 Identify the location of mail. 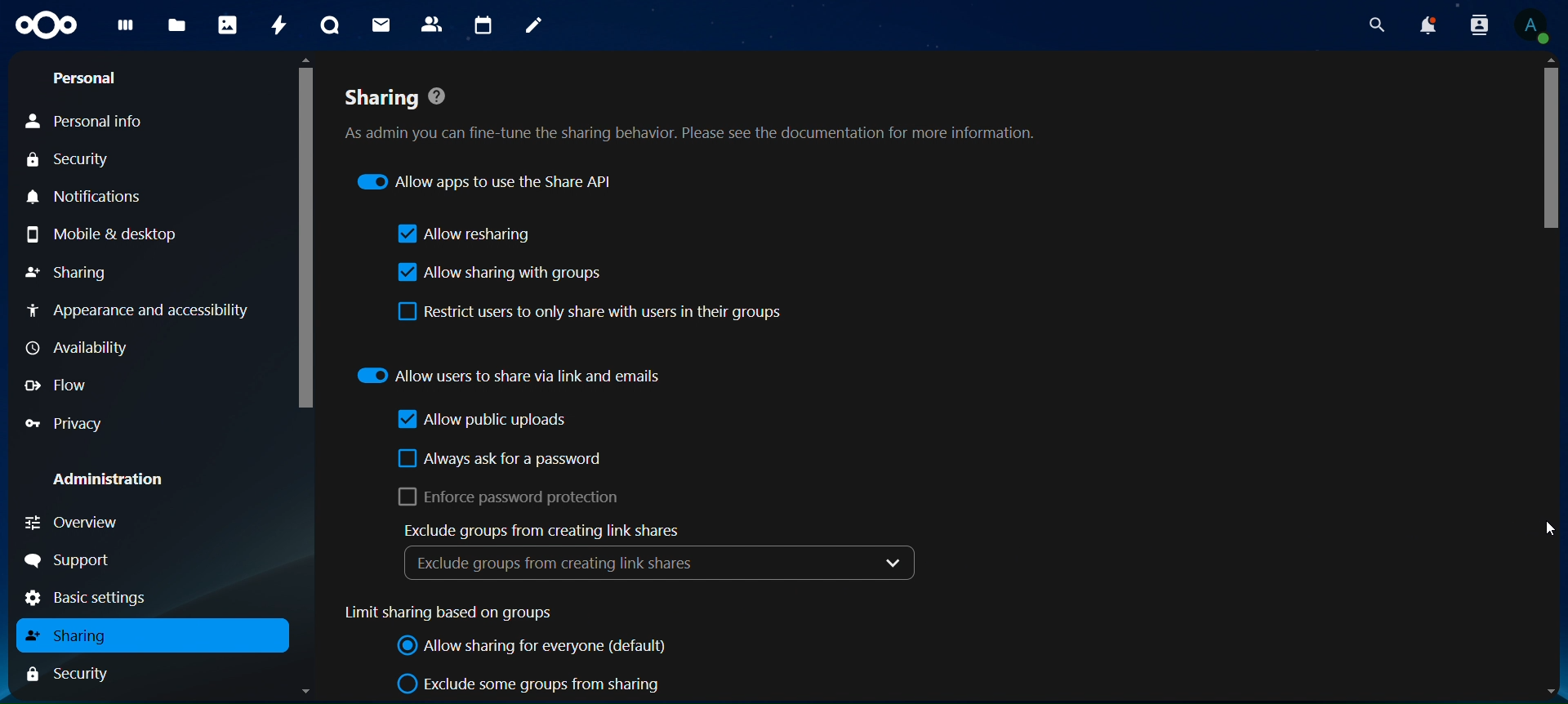
(383, 25).